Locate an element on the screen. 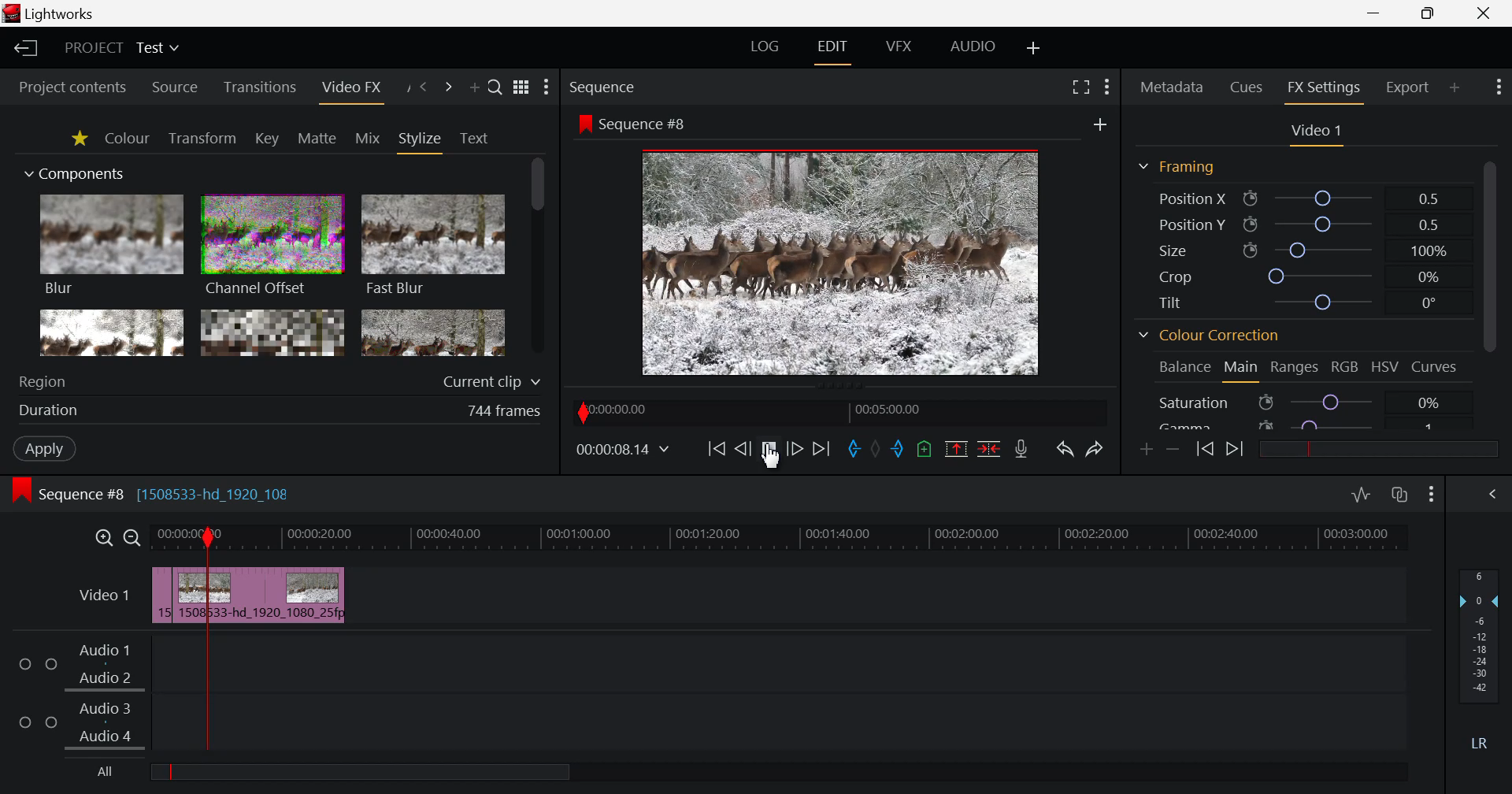  Matte is located at coordinates (317, 139).